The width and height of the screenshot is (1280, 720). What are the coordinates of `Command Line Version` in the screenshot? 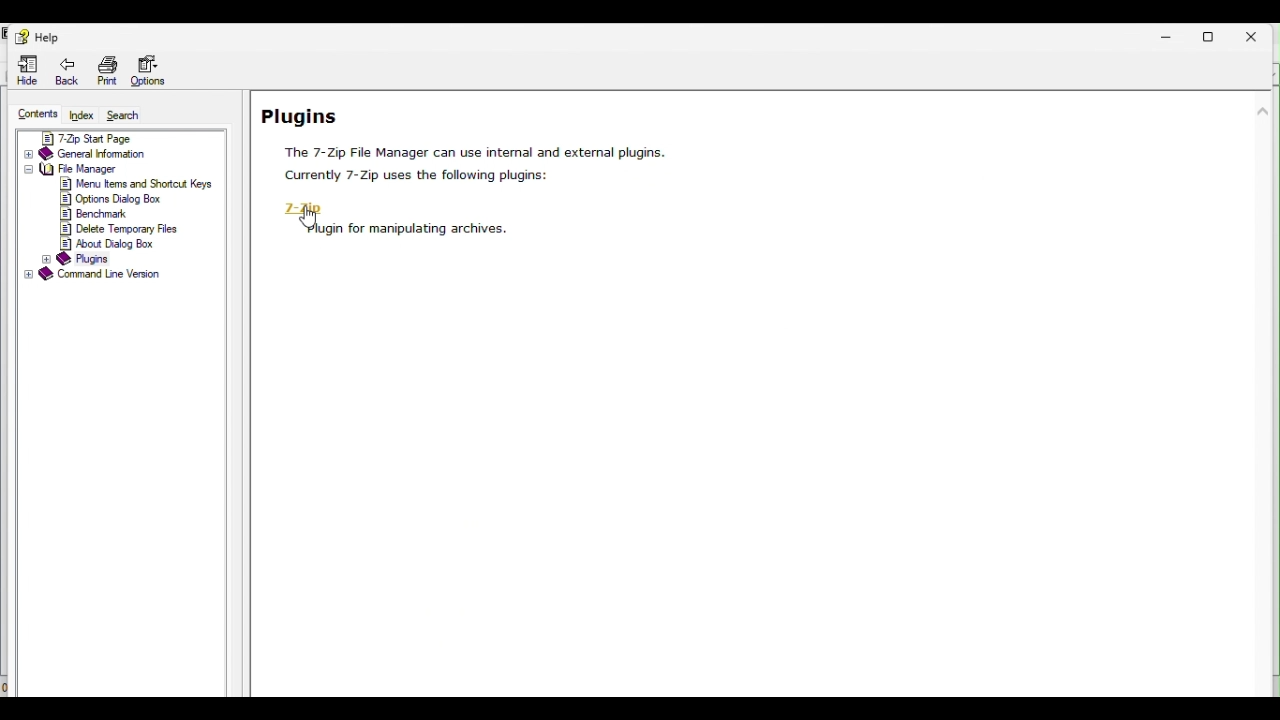 It's located at (94, 276).